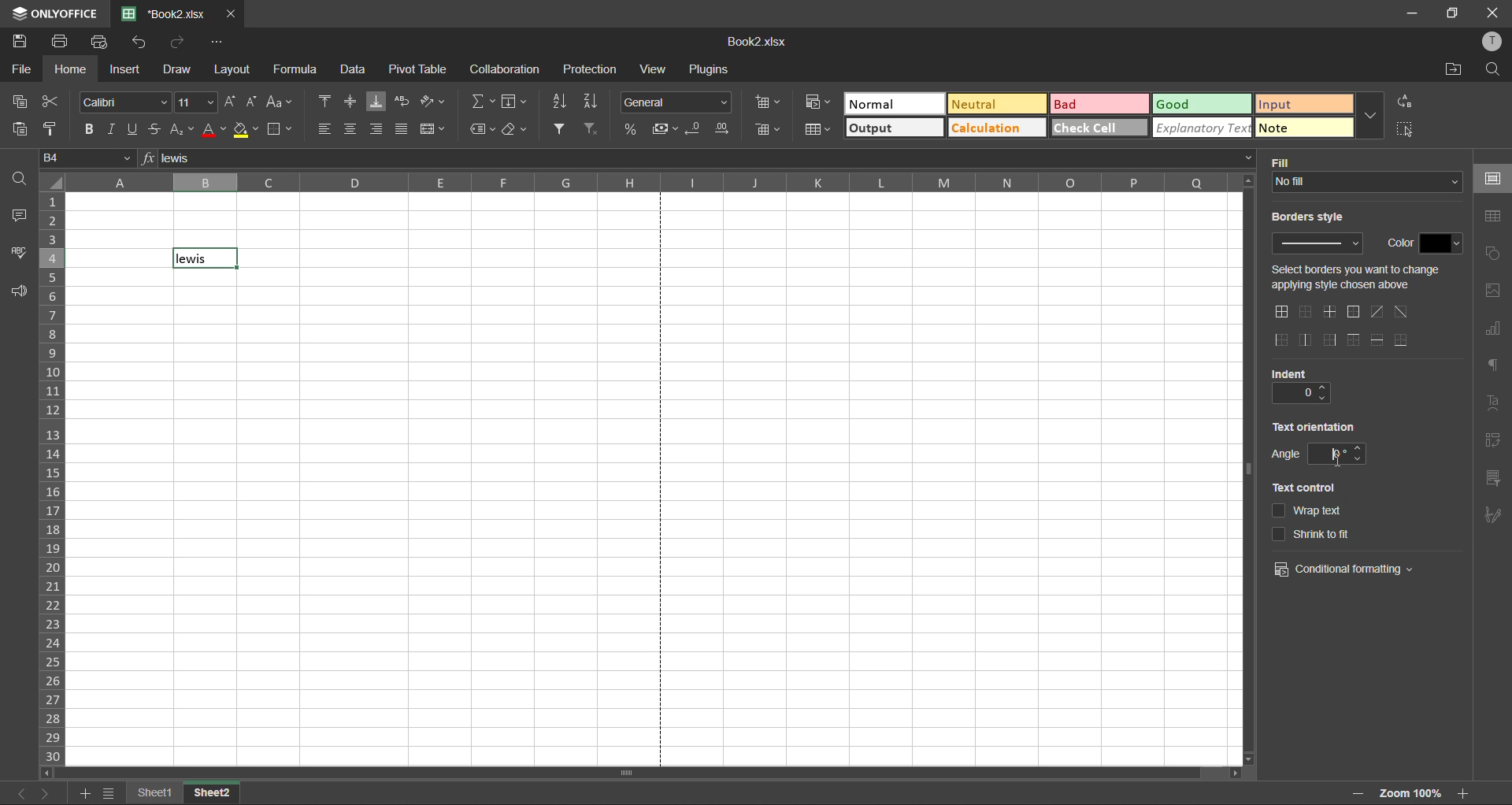  I want to click on column names, so click(652, 181).